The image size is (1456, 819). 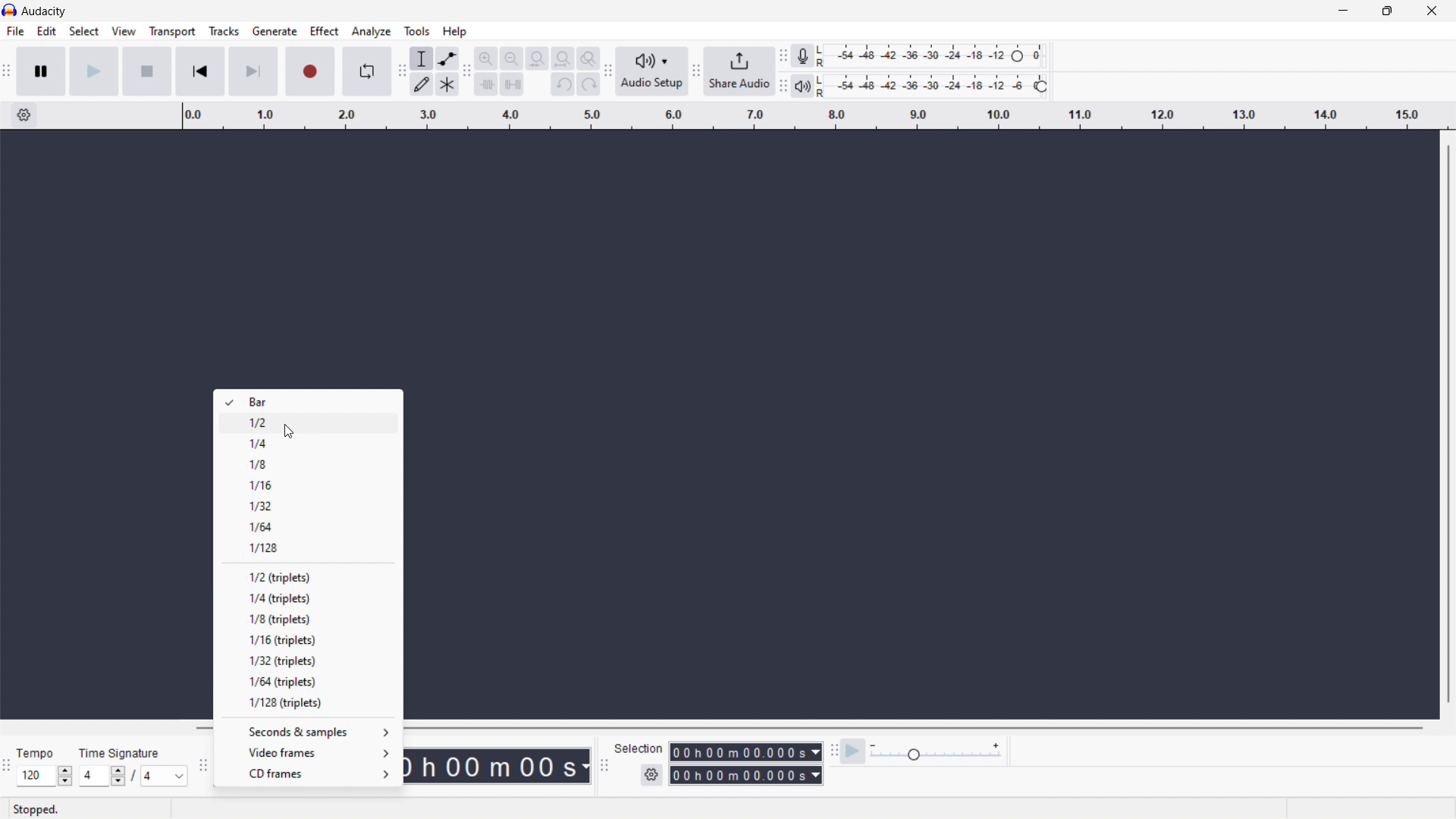 I want to click on effect, so click(x=325, y=31).